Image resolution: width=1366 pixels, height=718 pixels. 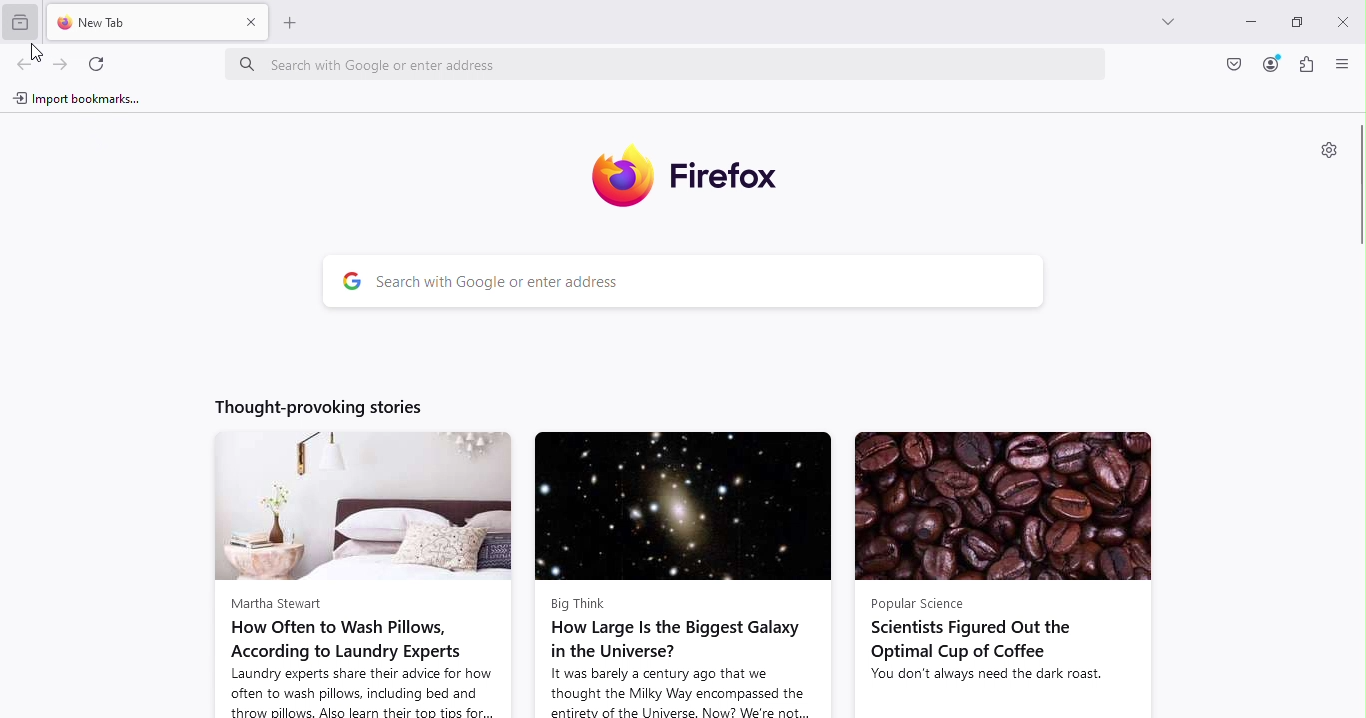 I want to click on Close, so click(x=1343, y=21).